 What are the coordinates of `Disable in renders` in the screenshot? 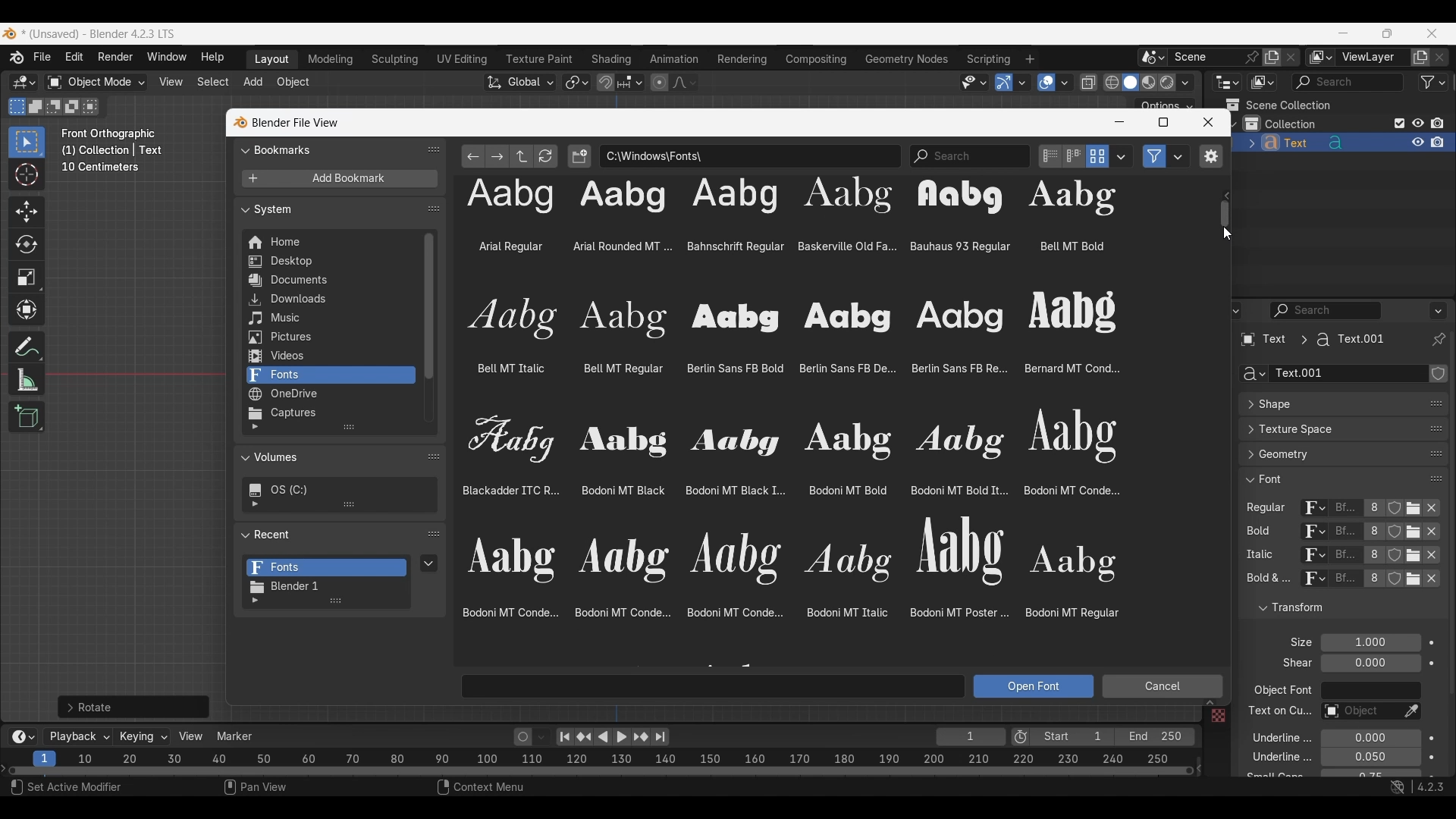 It's located at (1437, 123).